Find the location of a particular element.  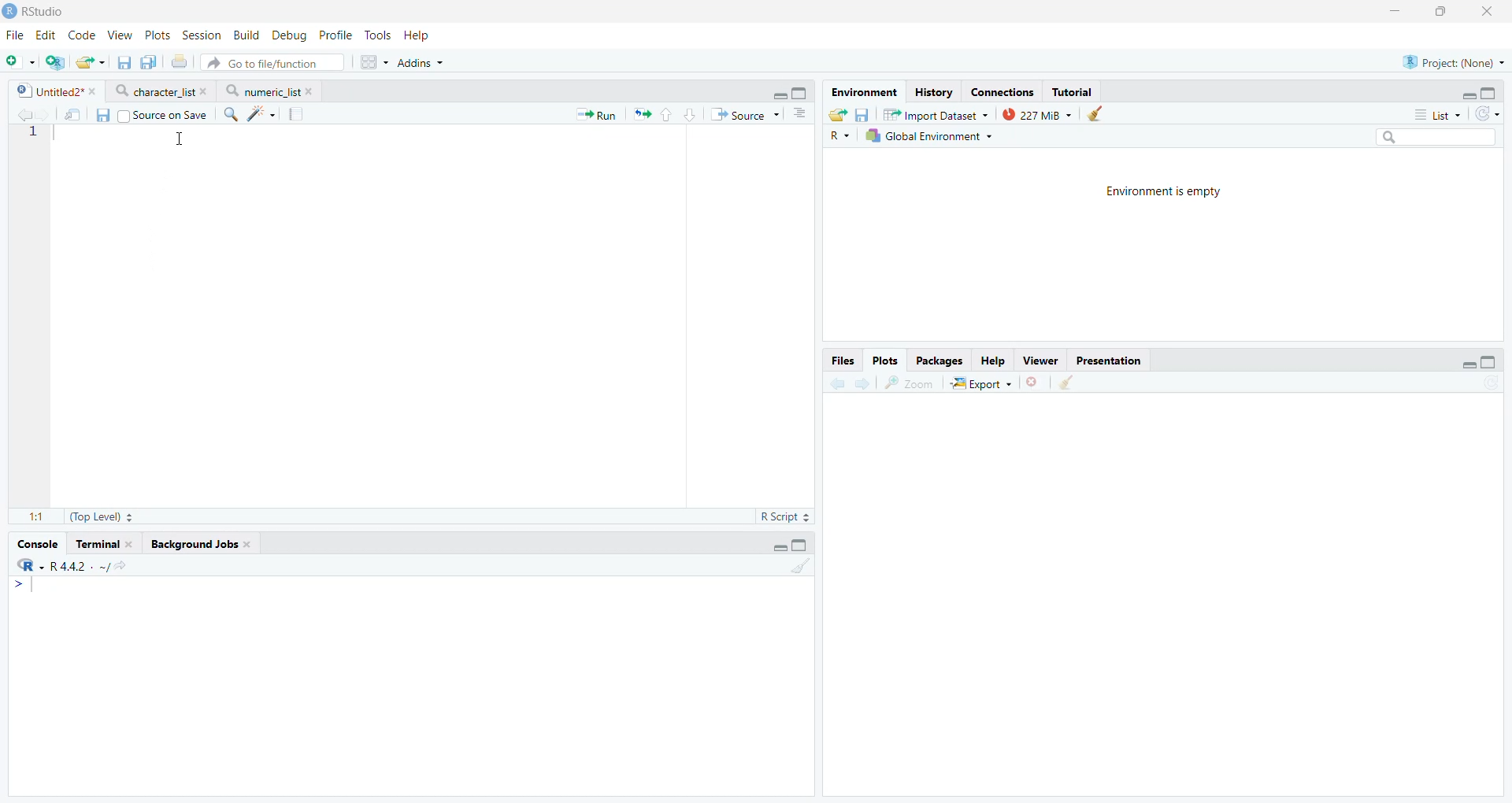

-=3 Export ~ is located at coordinates (980, 384).